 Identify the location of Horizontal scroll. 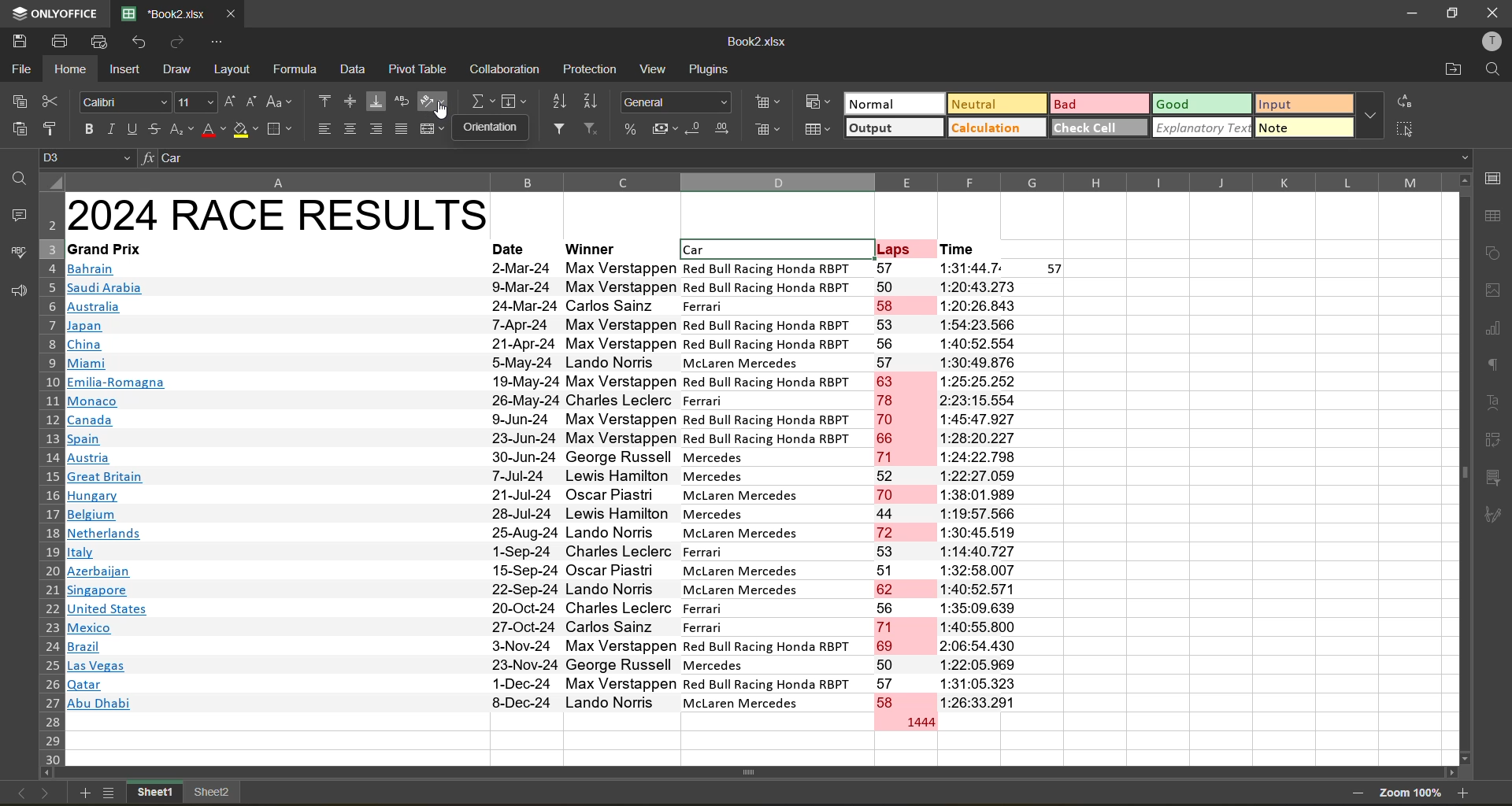
(755, 771).